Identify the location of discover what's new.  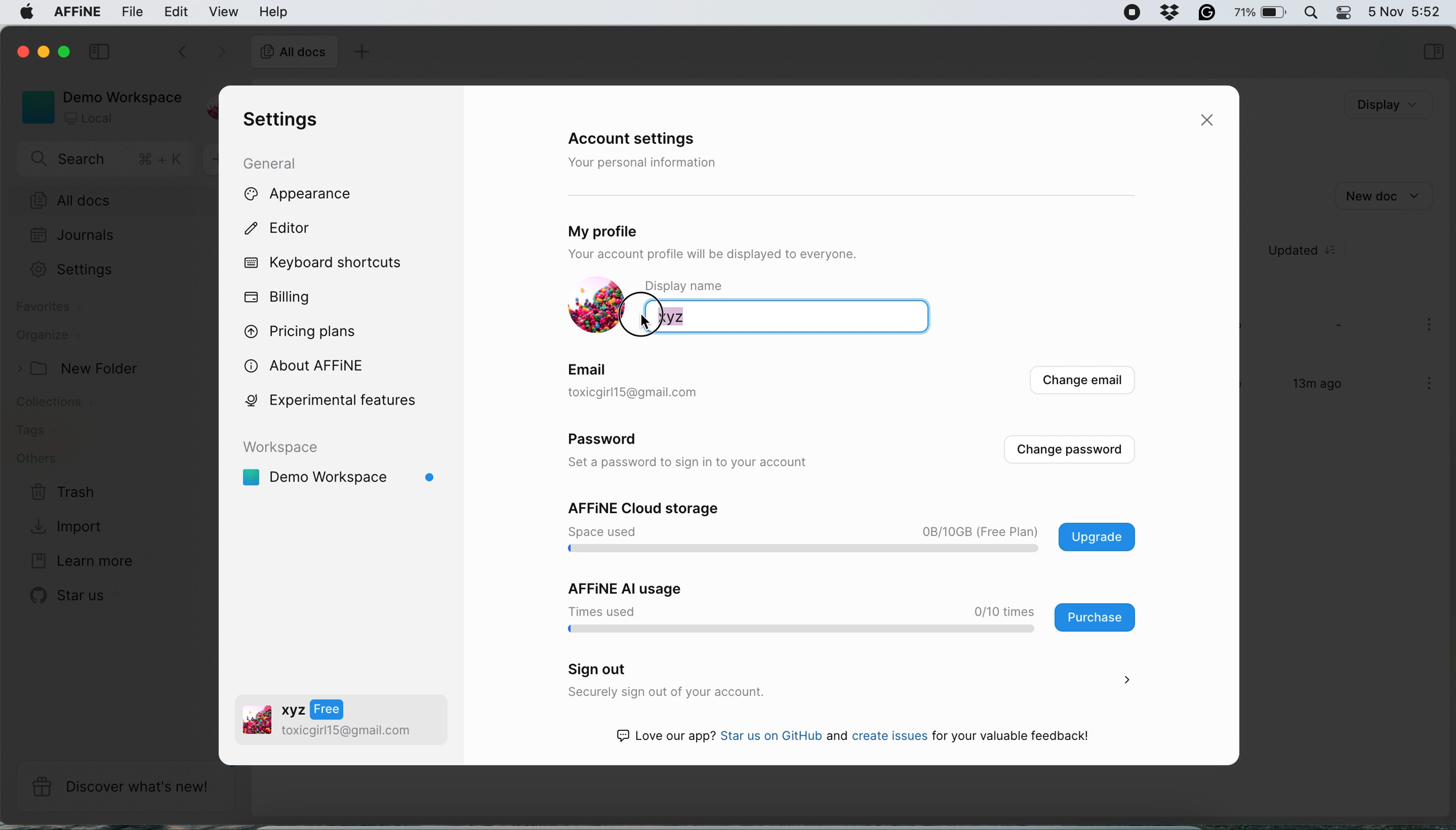
(125, 787).